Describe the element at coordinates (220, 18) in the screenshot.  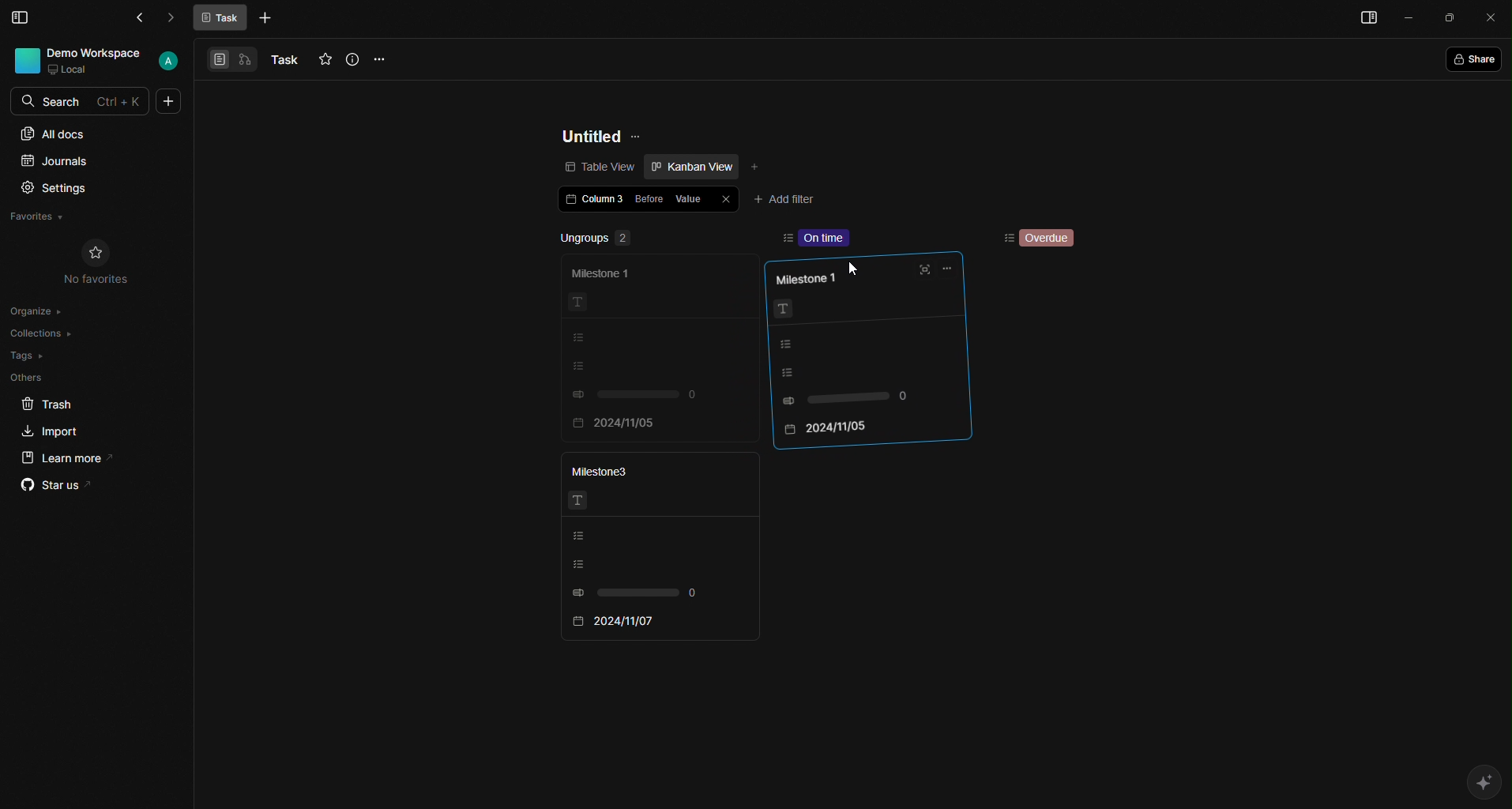
I see `Task` at that location.